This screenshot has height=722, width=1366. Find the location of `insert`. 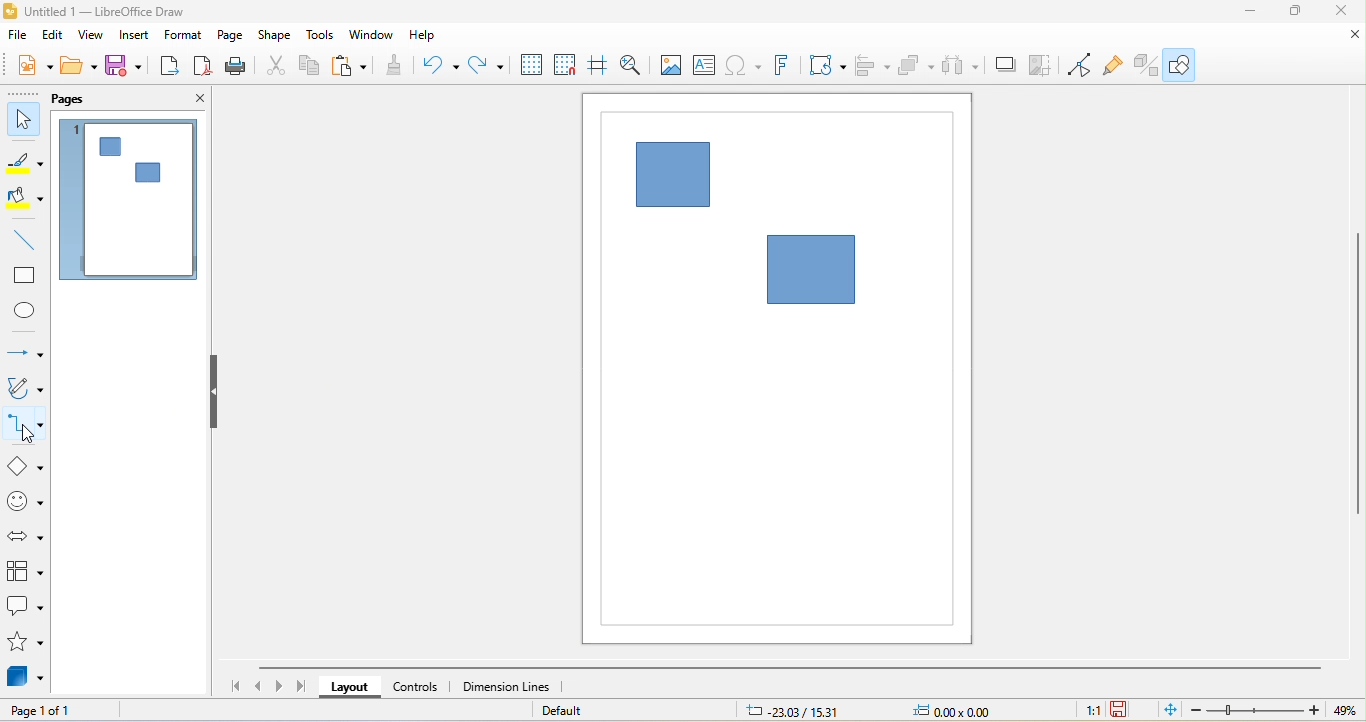

insert is located at coordinates (133, 35).